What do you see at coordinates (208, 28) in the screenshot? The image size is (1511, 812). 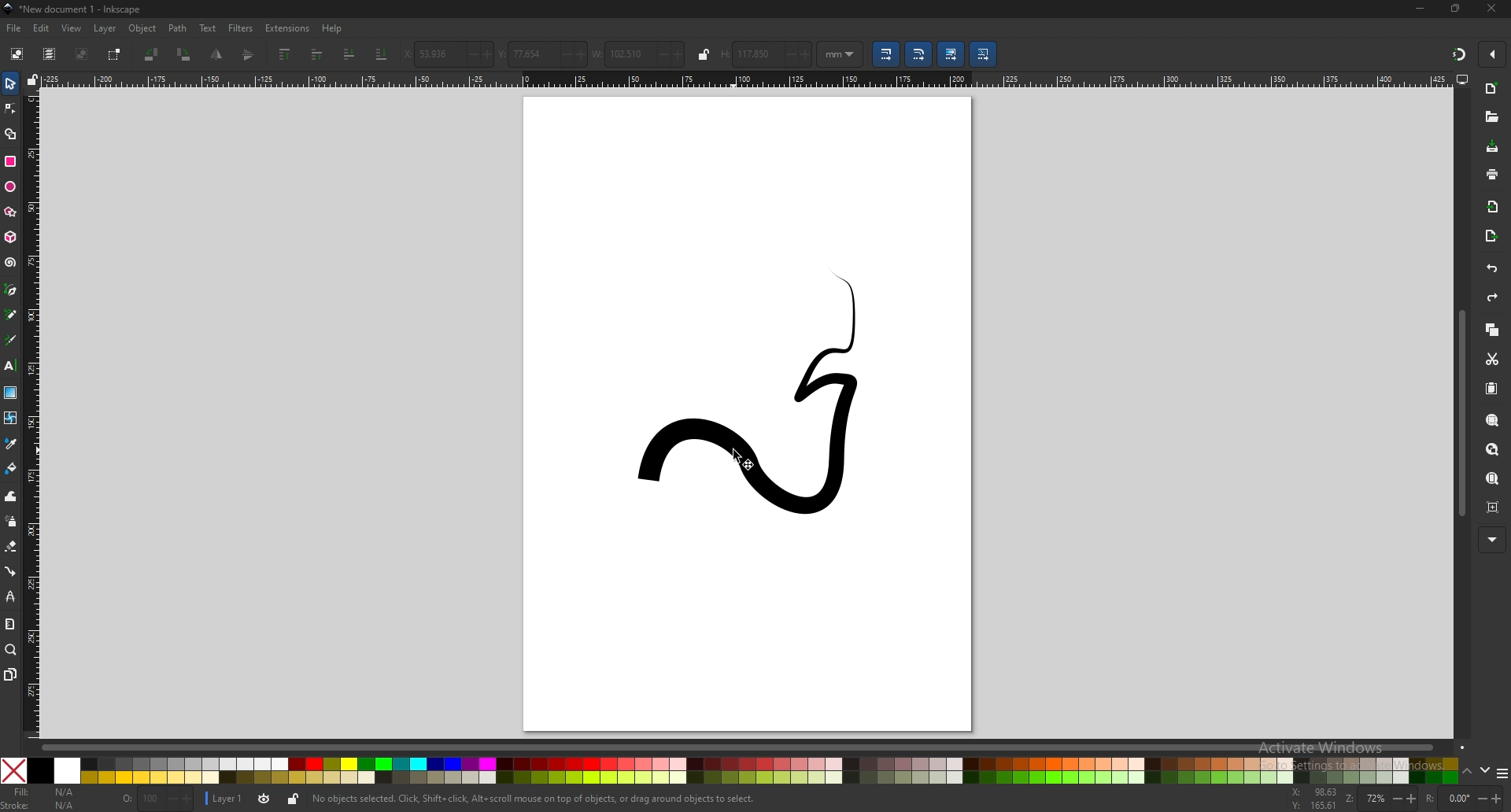 I see `text` at bounding box center [208, 28].